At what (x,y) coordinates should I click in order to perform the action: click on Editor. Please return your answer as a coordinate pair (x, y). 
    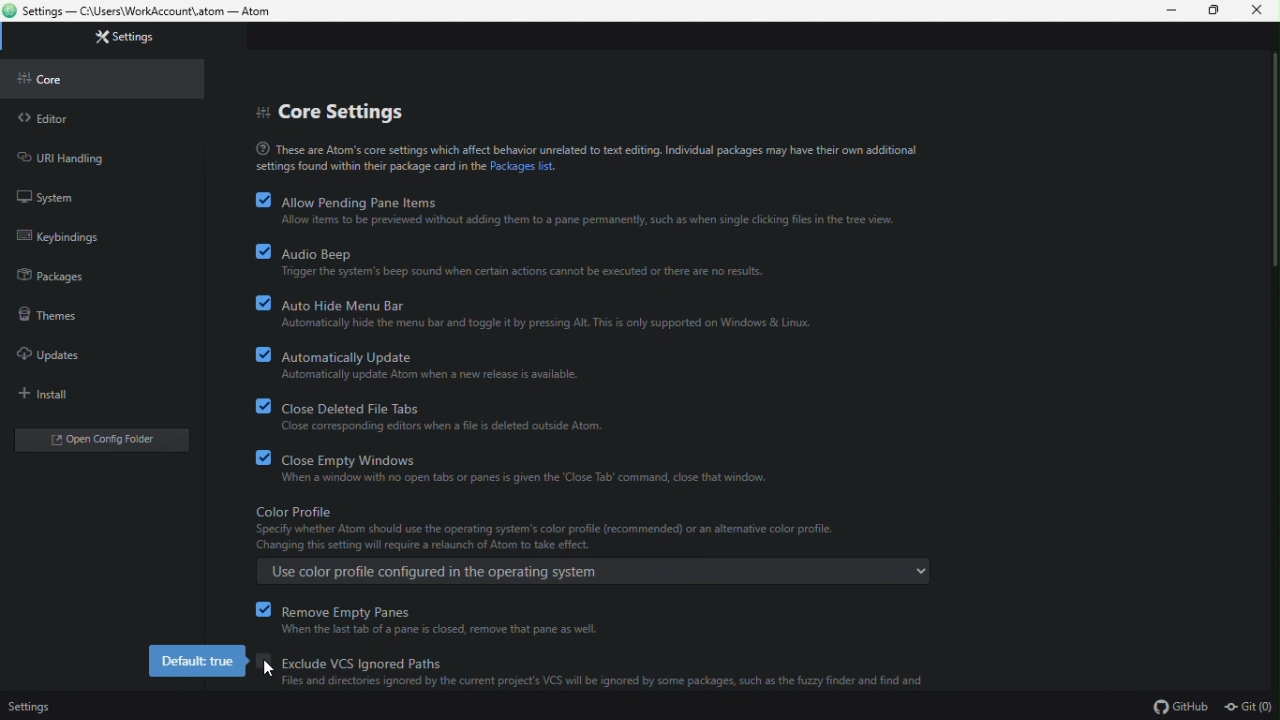
    Looking at the image, I should click on (102, 117).